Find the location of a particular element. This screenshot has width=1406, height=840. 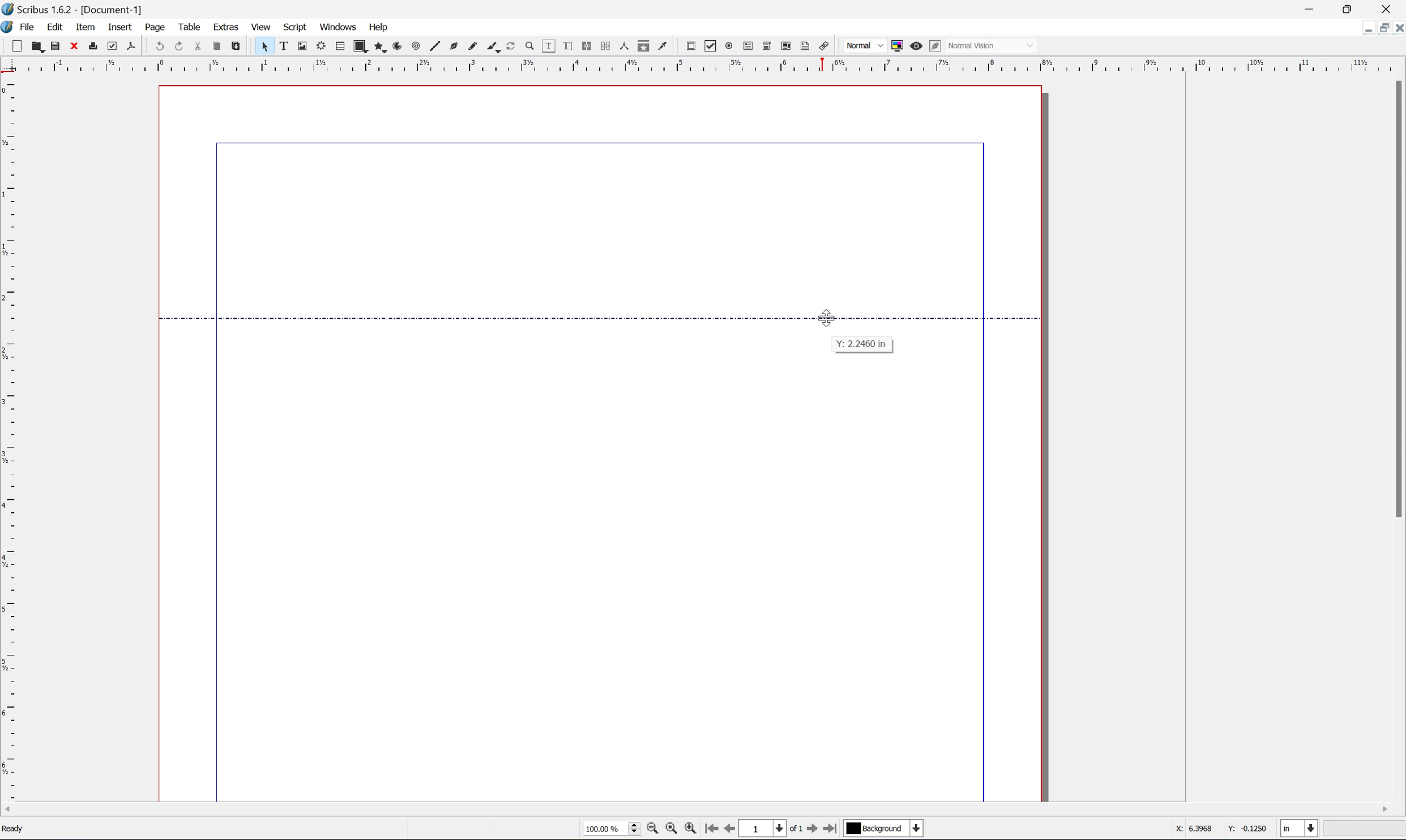

undo is located at coordinates (160, 47).